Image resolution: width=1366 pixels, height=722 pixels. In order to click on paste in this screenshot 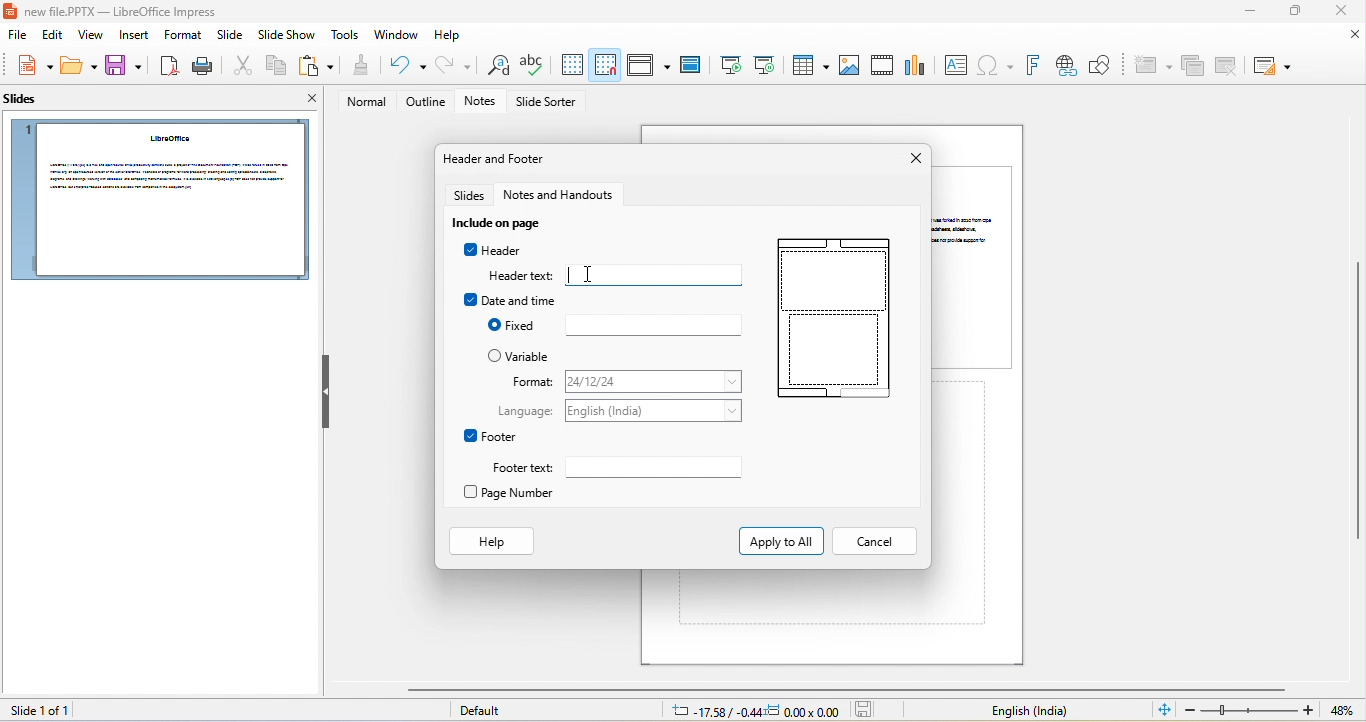, I will do `click(316, 66)`.